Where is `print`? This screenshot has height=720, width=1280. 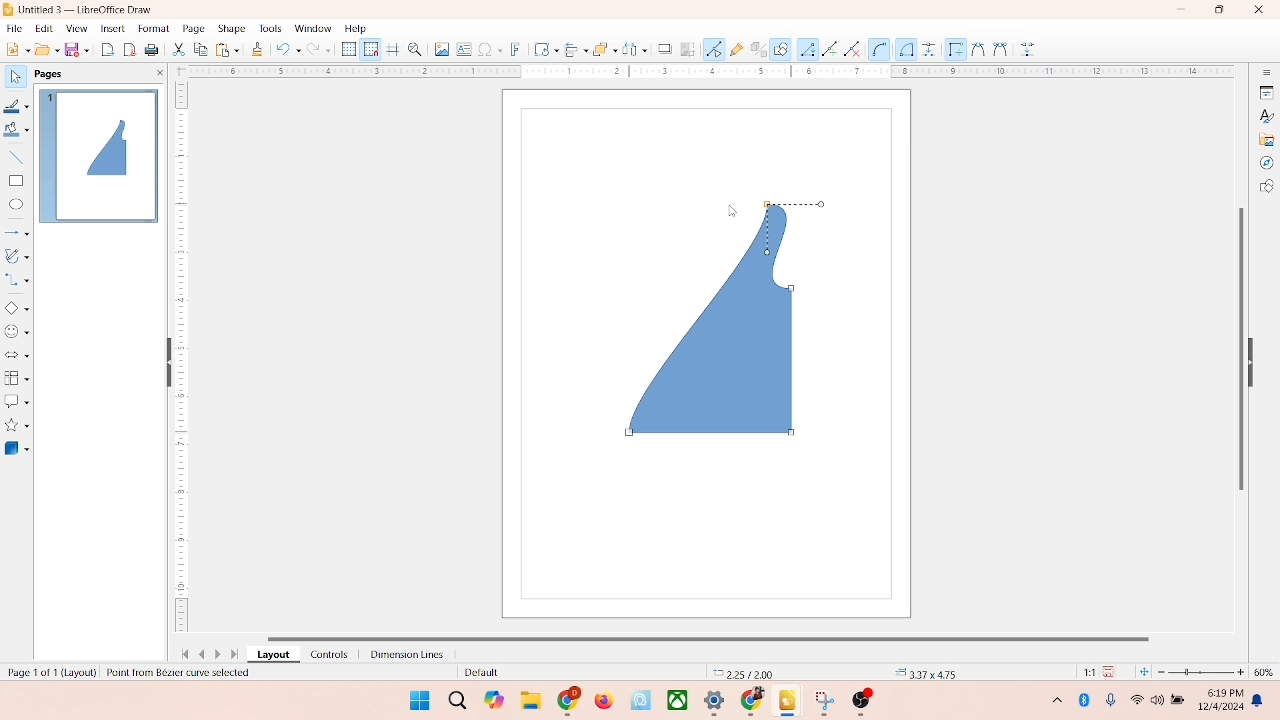 print is located at coordinates (154, 51).